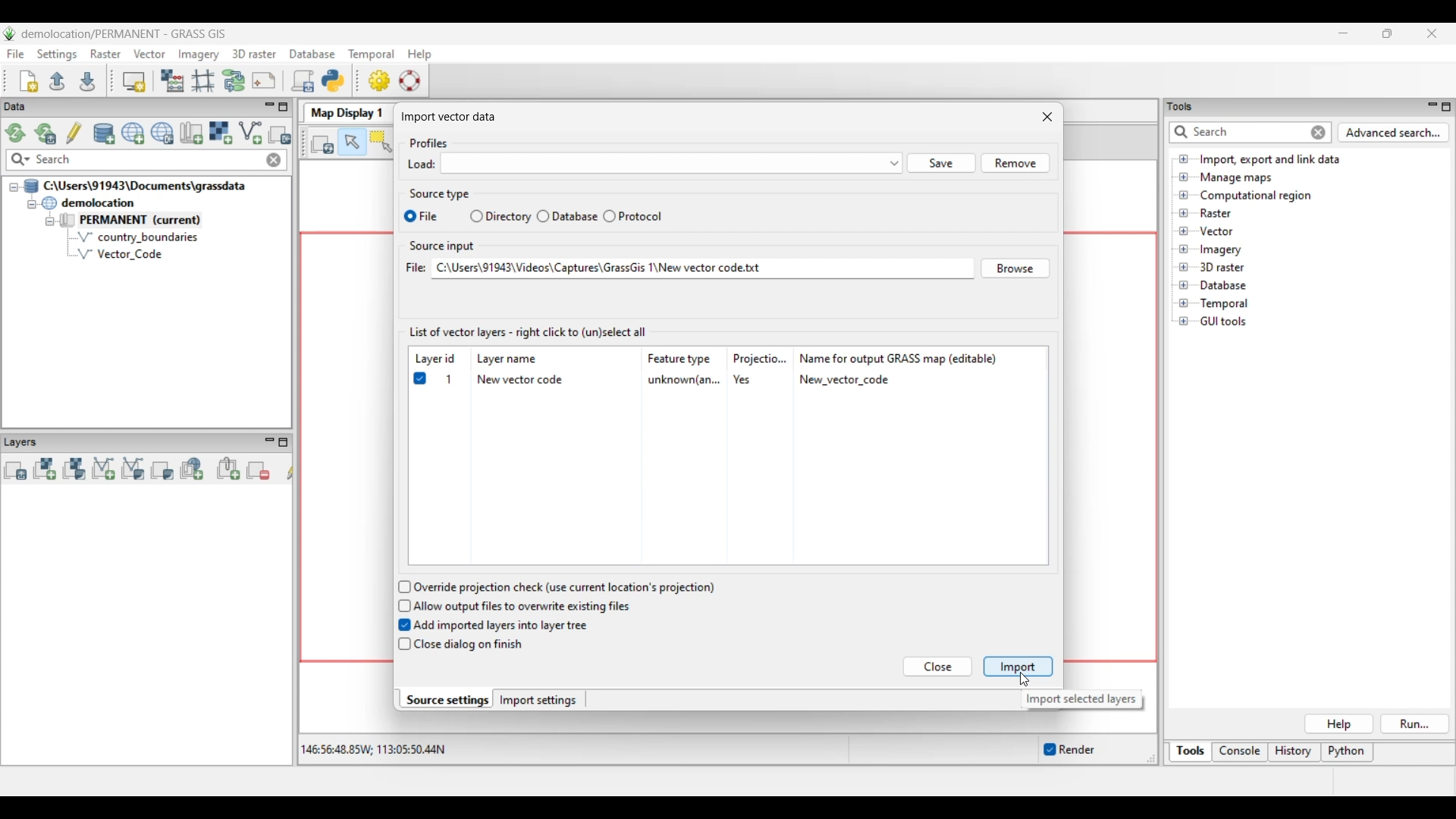 This screenshot has height=819, width=1456. Describe the element at coordinates (151, 221) in the screenshot. I see `Double click to collapse Permanent` at that location.